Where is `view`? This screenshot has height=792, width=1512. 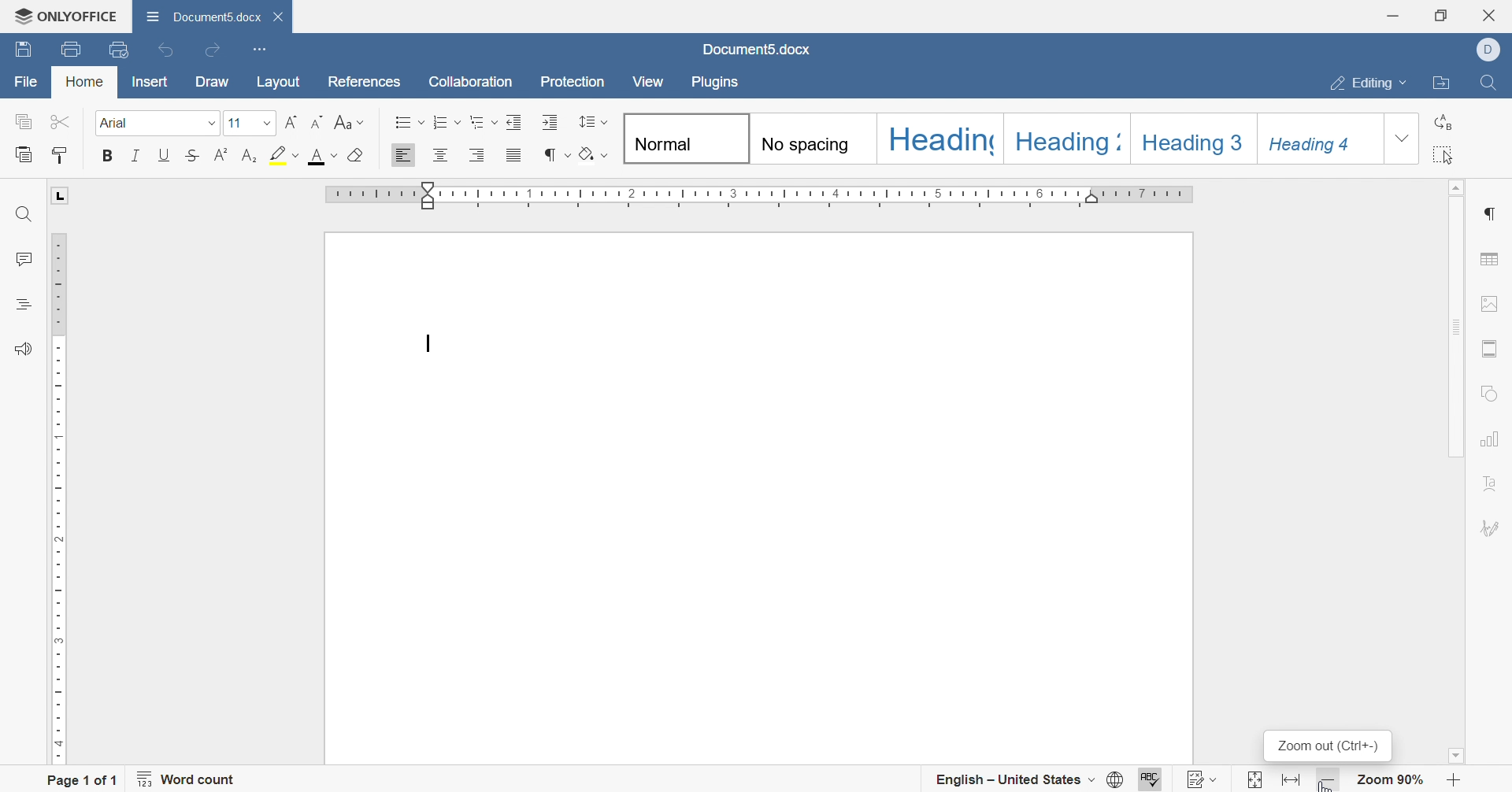 view is located at coordinates (646, 80).